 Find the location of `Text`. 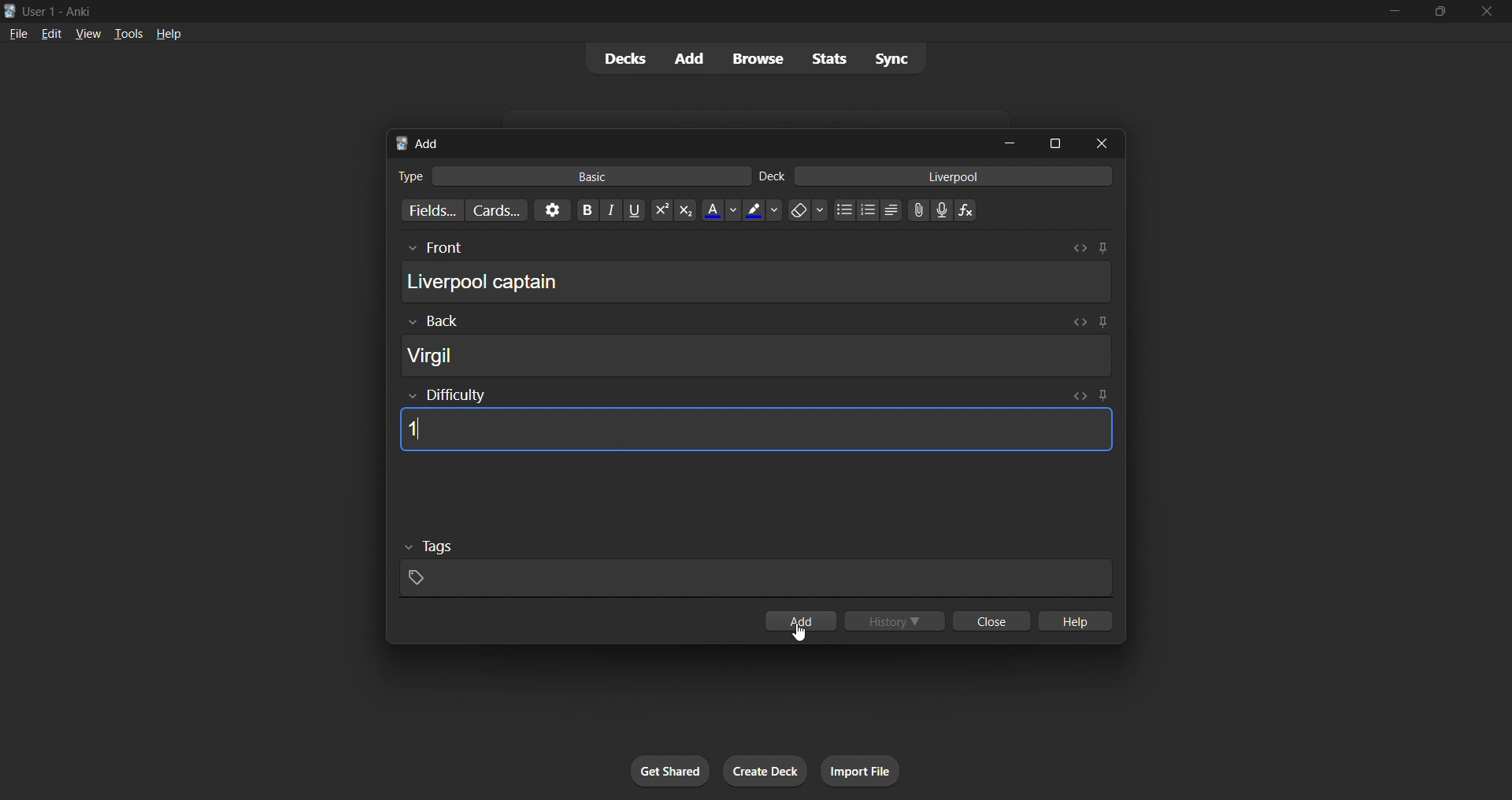

Text is located at coordinates (60, 13).